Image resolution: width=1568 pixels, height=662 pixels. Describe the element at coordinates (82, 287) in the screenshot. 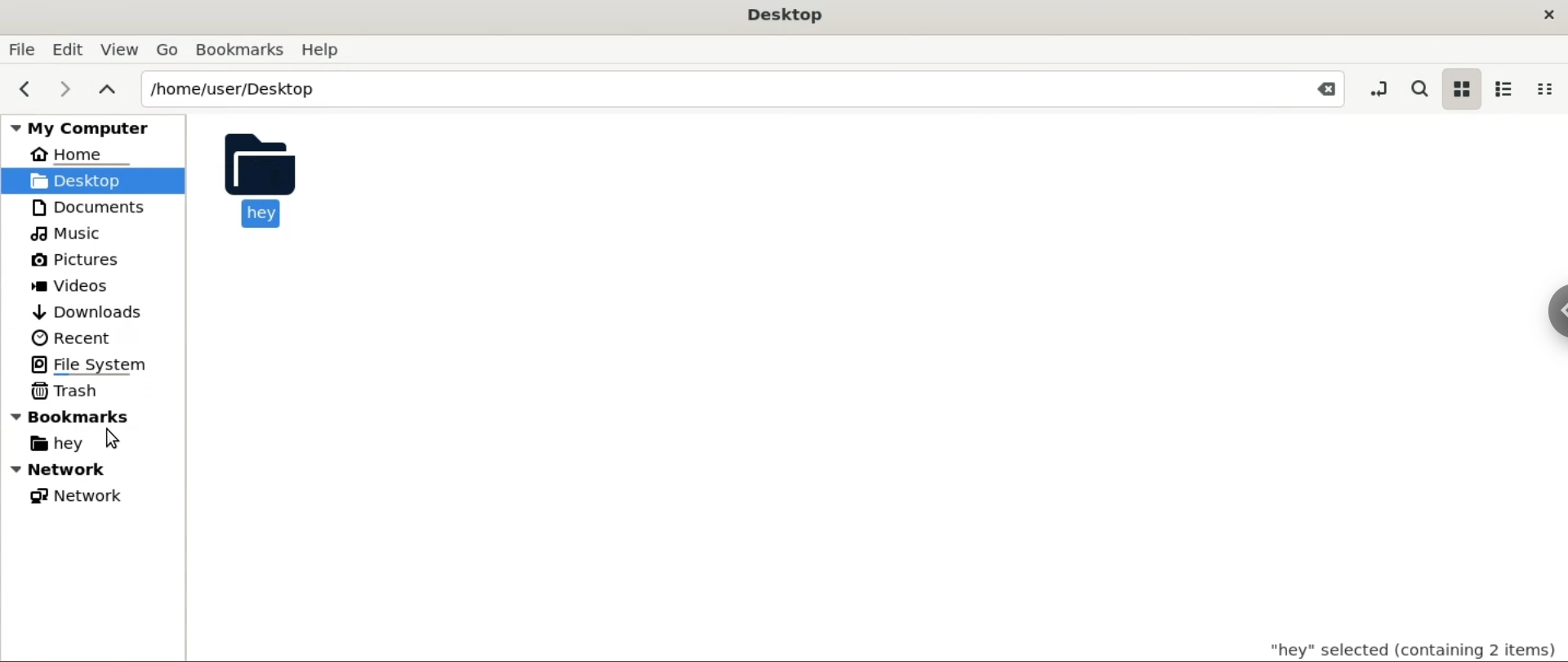

I see `Videos` at that location.